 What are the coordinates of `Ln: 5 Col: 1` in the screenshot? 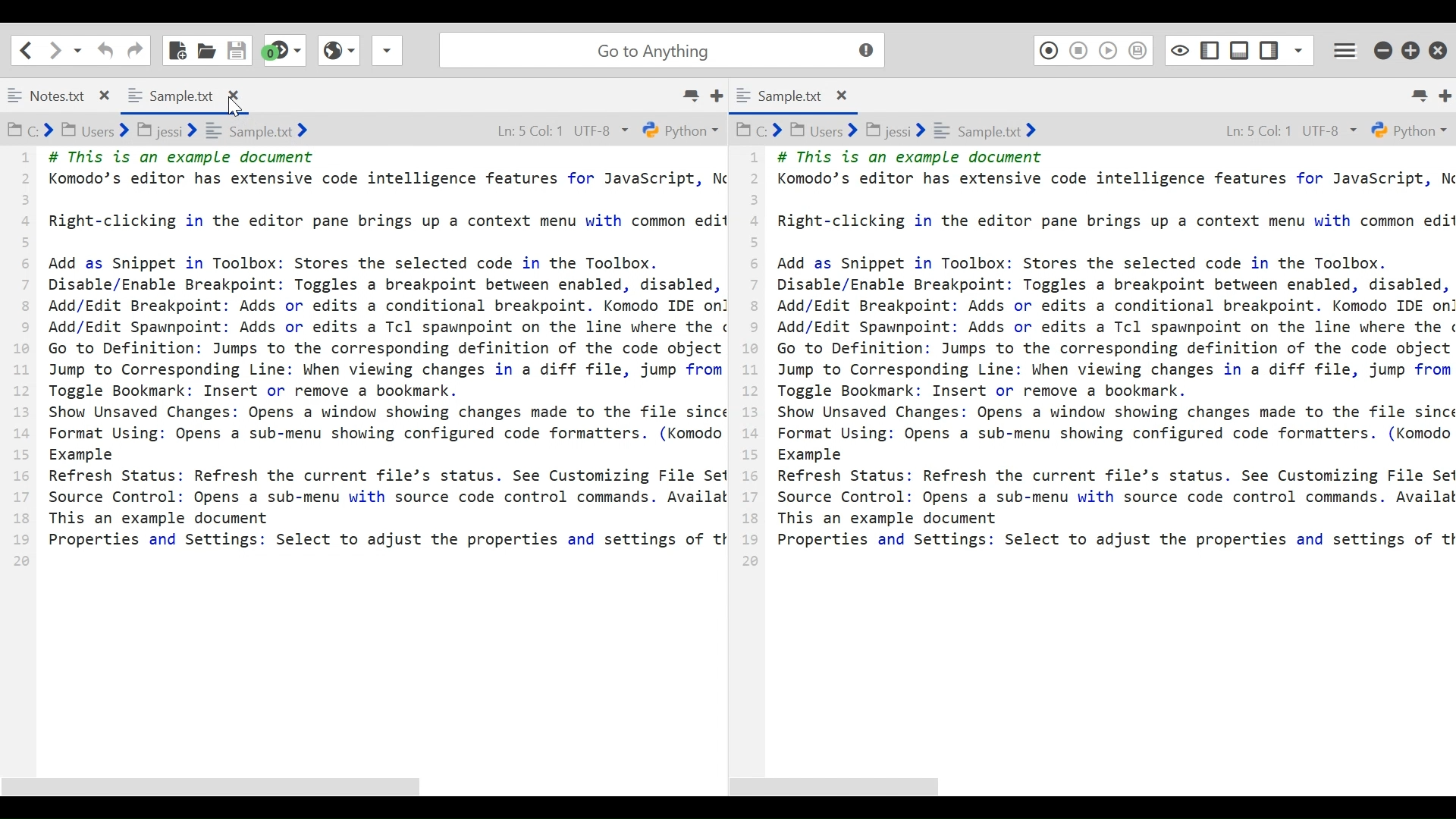 It's located at (1255, 130).